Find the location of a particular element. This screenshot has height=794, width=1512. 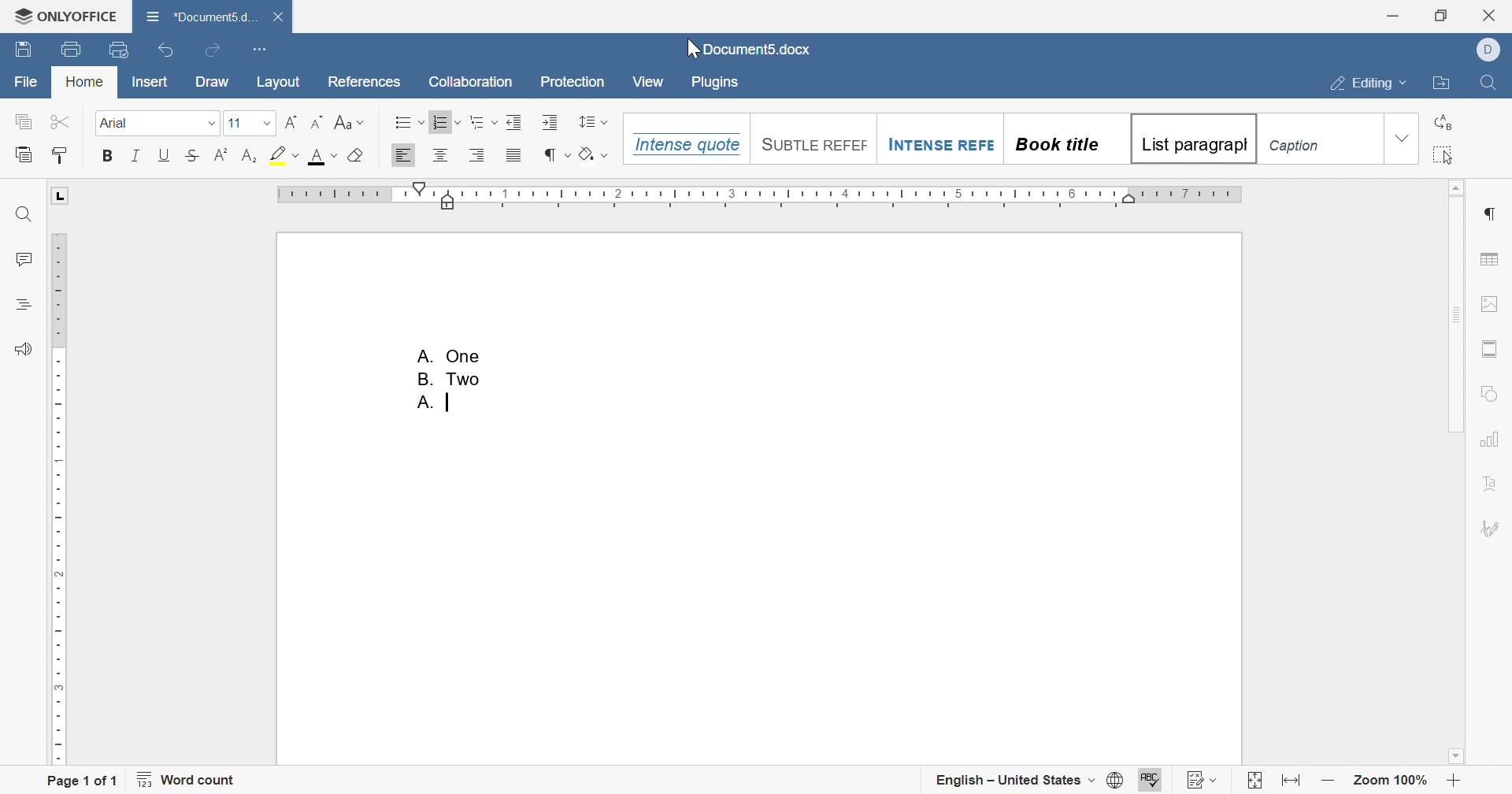

Intense quote is located at coordinates (684, 144).